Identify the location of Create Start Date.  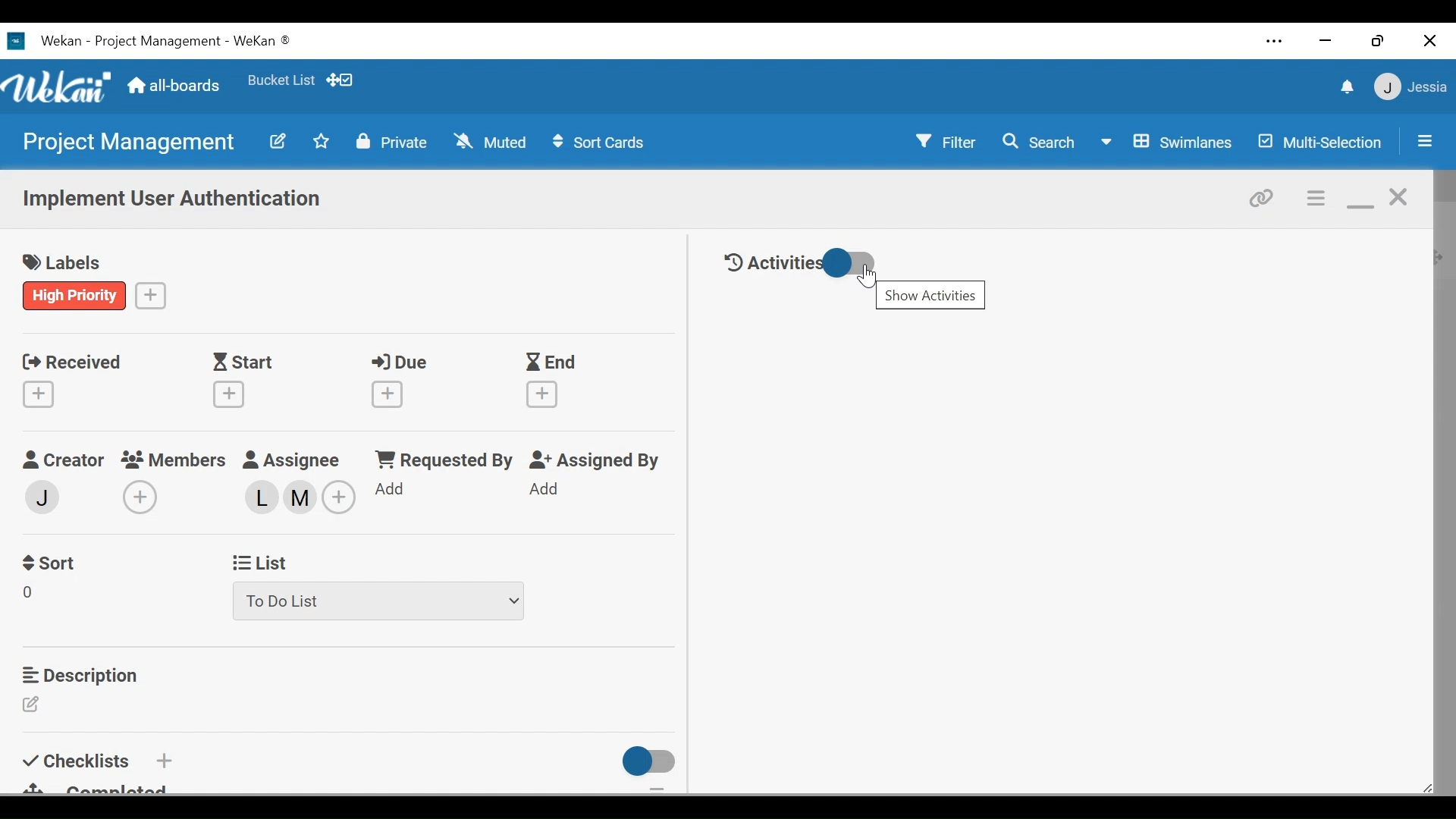
(229, 395).